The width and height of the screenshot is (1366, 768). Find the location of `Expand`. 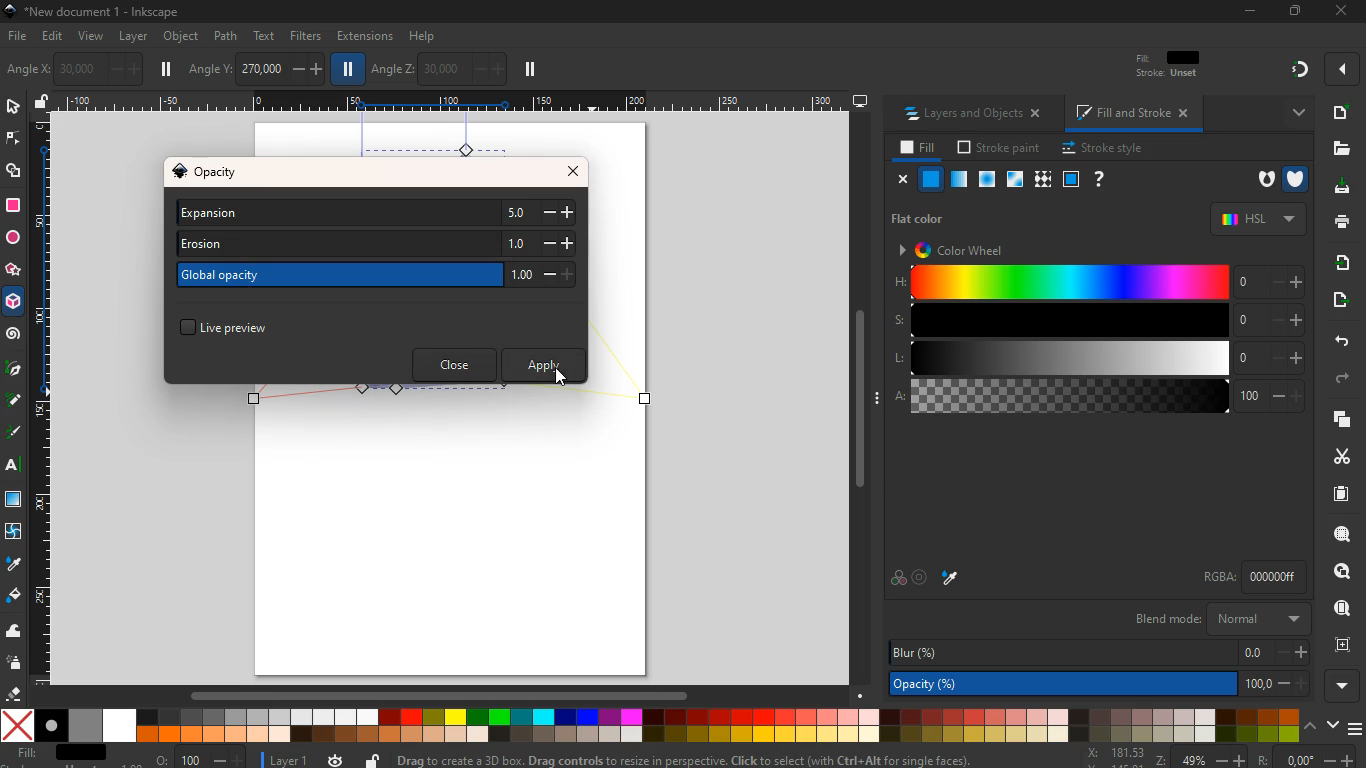

Expand is located at coordinates (879, 397).